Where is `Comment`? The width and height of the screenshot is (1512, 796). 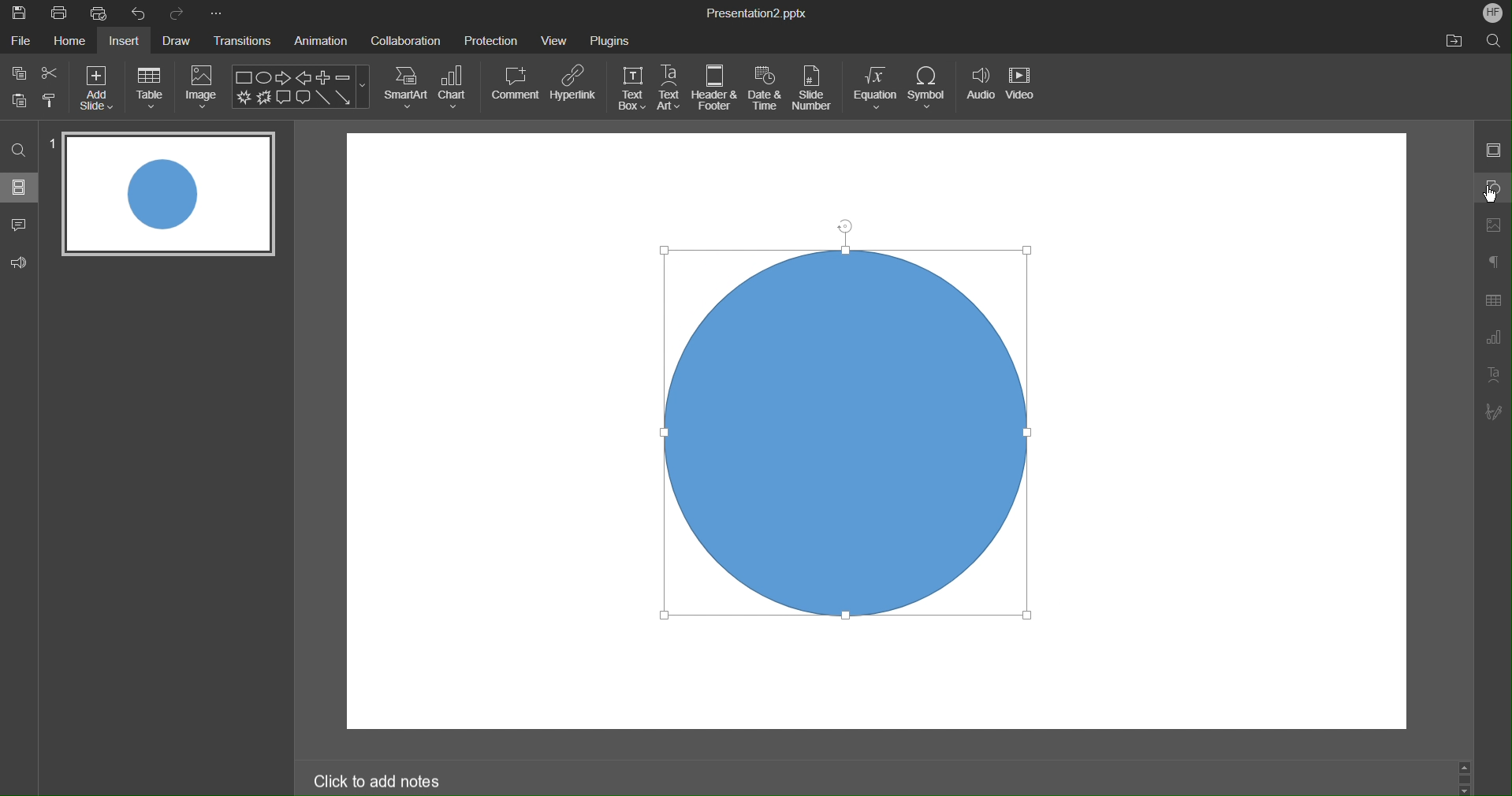 Comment is located at coordinates (20, 221).